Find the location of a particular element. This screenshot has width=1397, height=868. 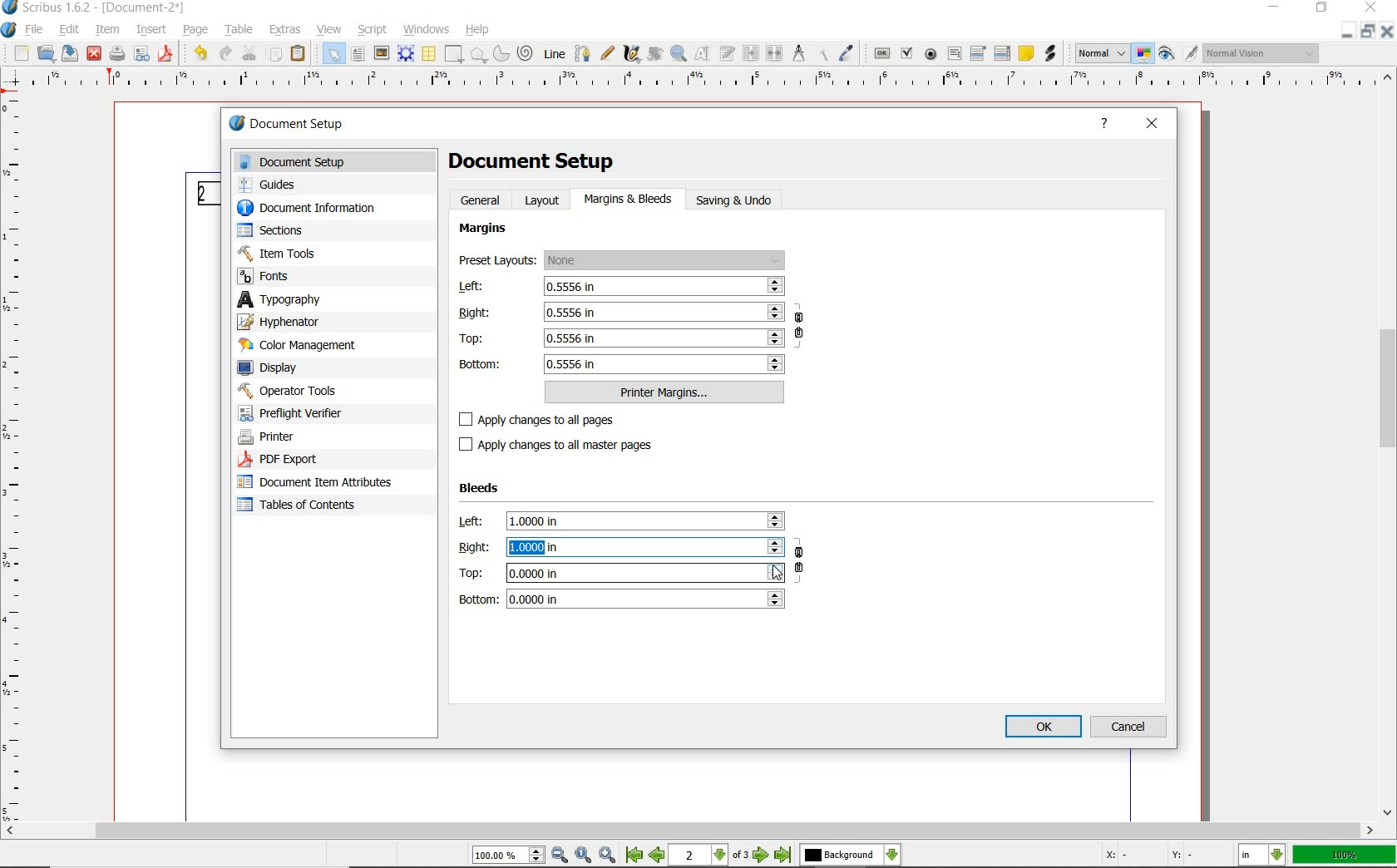

preset layouts is located at coordinates (623, 261).